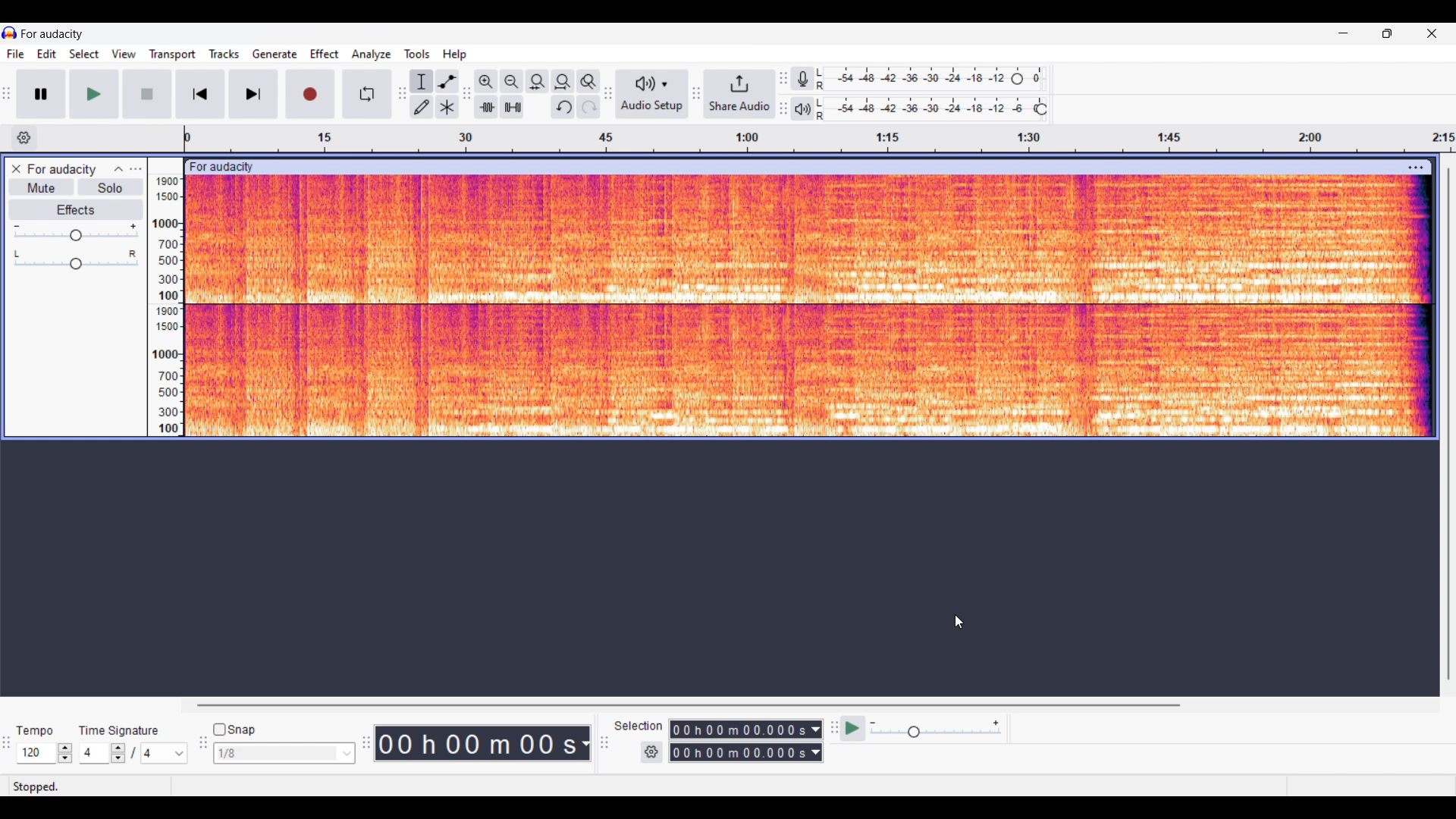 The image size is (1456, 819). Describe the element at coordinates (563, 107) in the screenshot. I see `Undo` at that location.